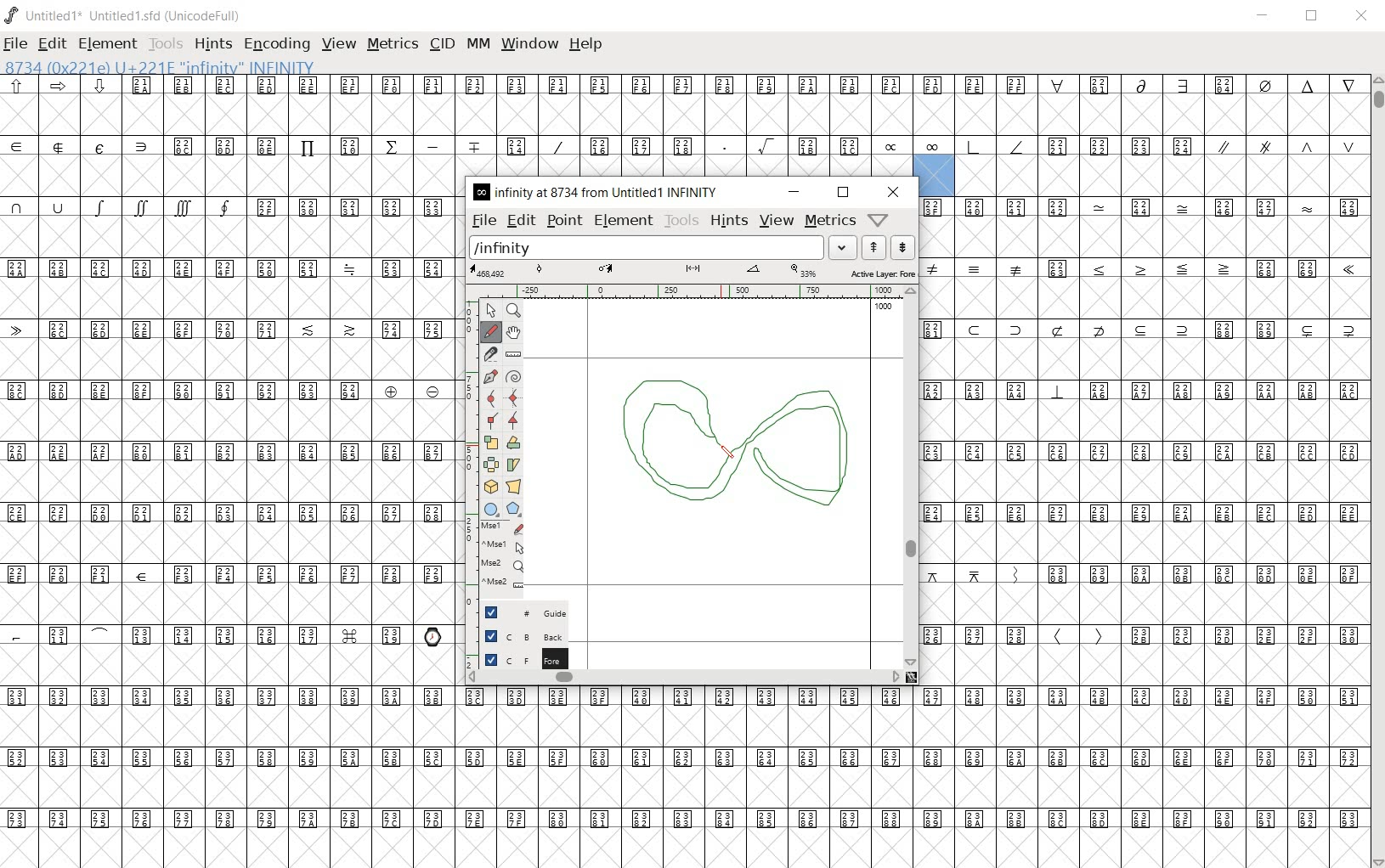 The height and width of the screenshot is (868, 1385). Describe the element at coordinates (232, 667) in the screenshot. I see `empty glyph slots` at that location.